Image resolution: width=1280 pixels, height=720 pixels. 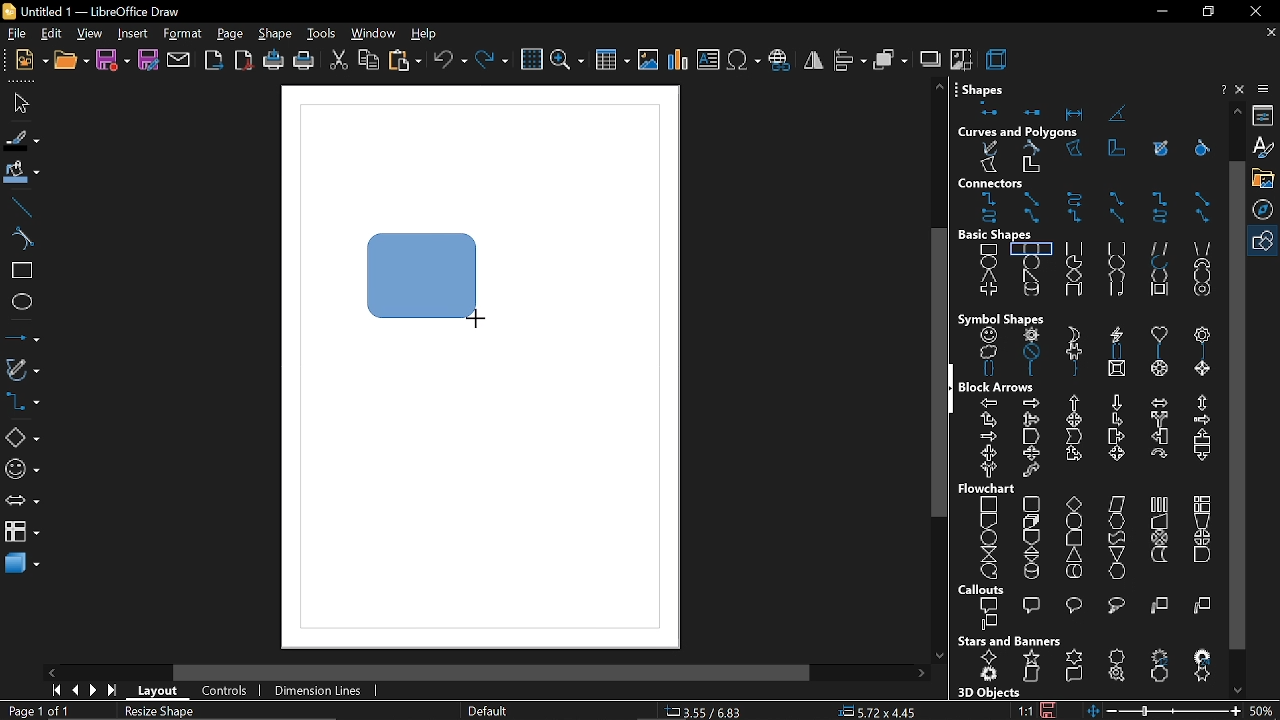 I want to click on move up, so click(x=1238, y=110).